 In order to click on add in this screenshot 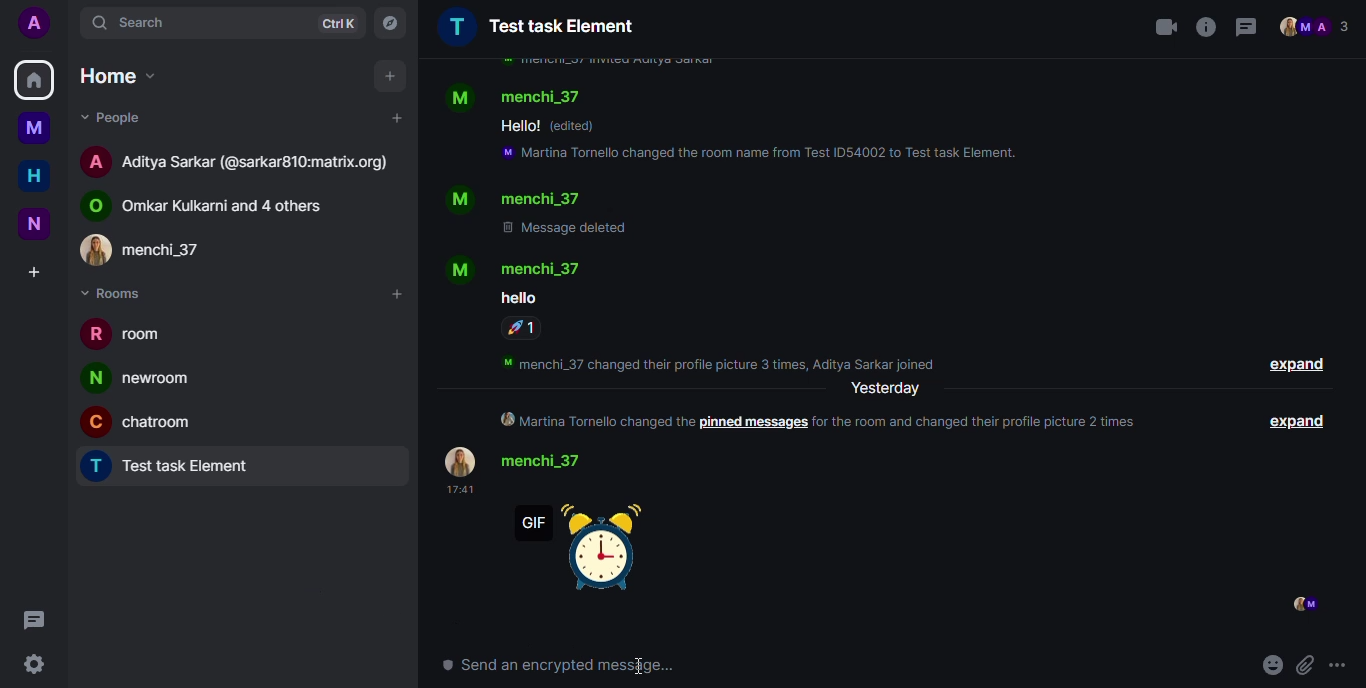, I will do `click(391, 76)`.